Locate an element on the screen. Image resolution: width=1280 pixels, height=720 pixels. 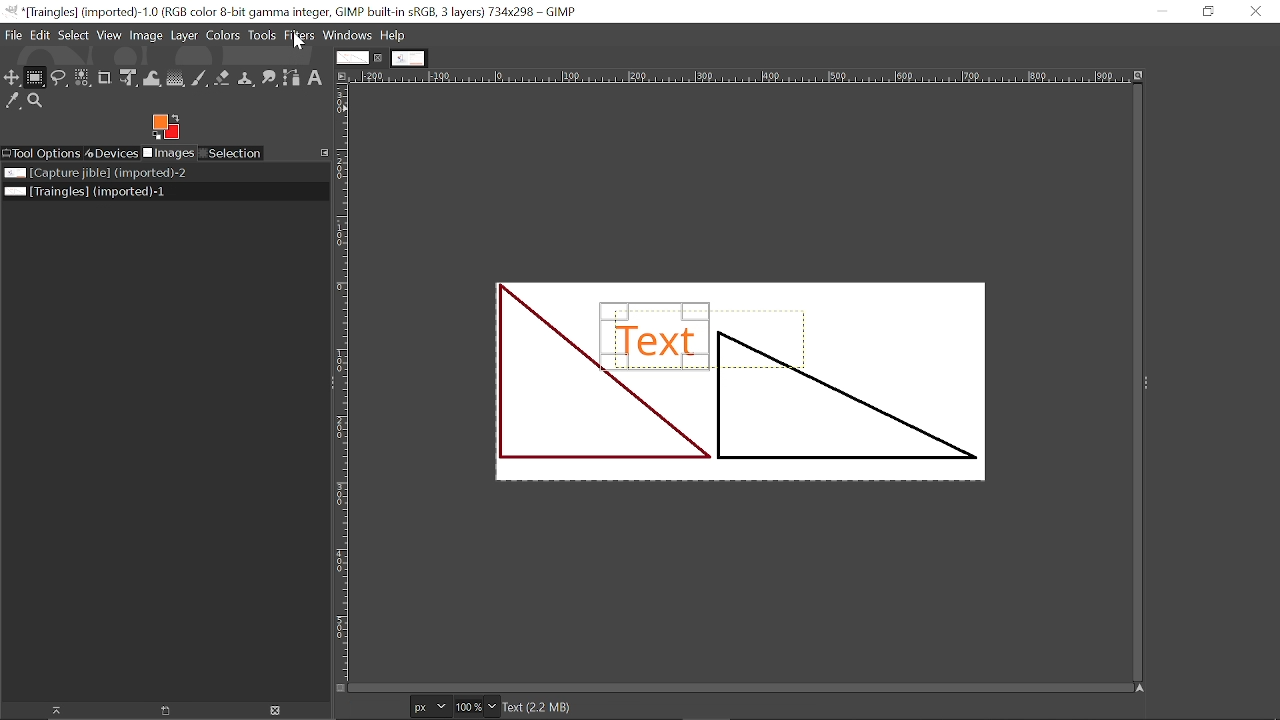
Path tool is located at coordinates (292, 79).